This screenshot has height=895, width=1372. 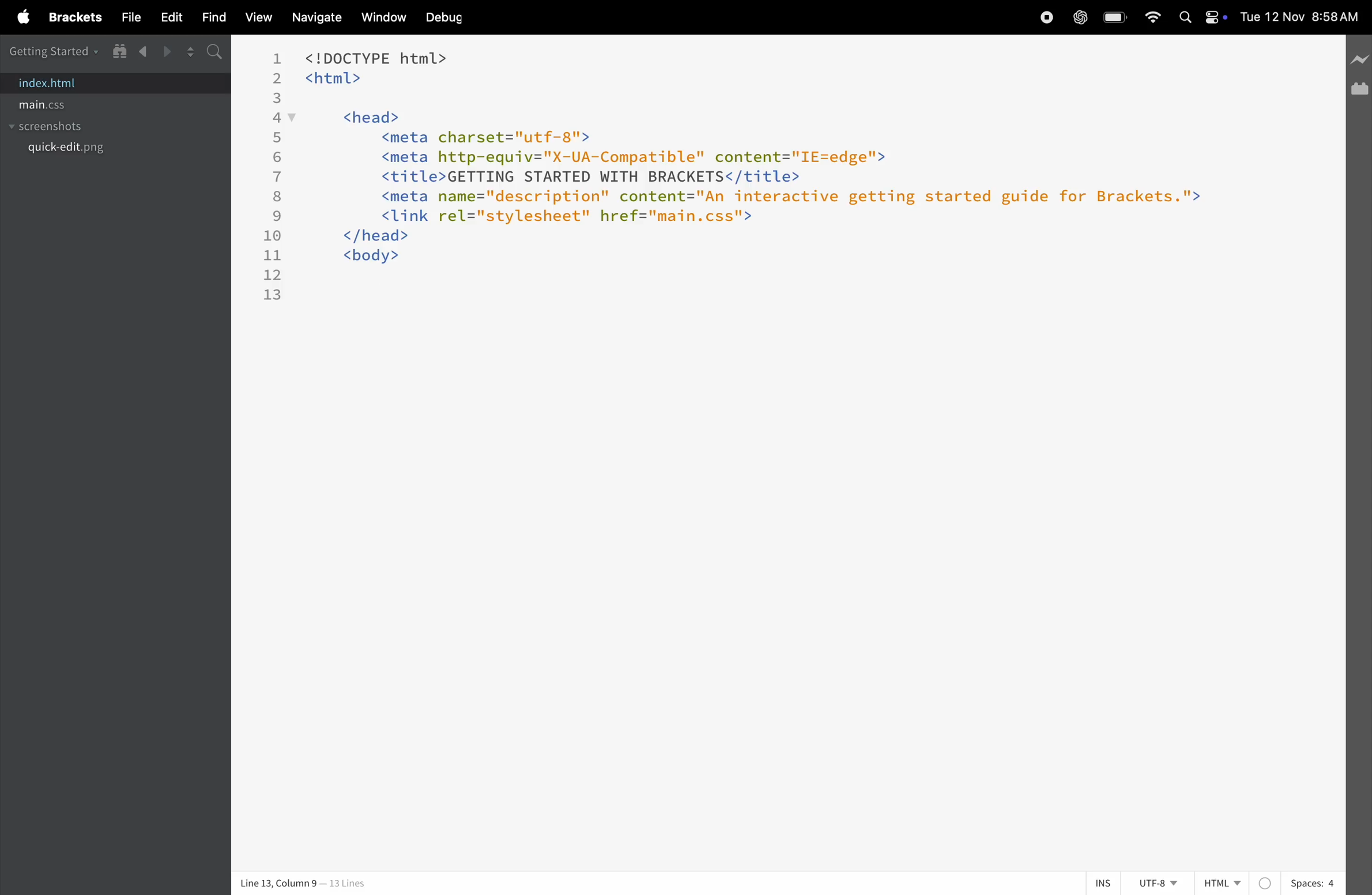 What do you see at coordinates (63, 106) in the screenshot?
I see `main .css` at bounding box center [63, 106].